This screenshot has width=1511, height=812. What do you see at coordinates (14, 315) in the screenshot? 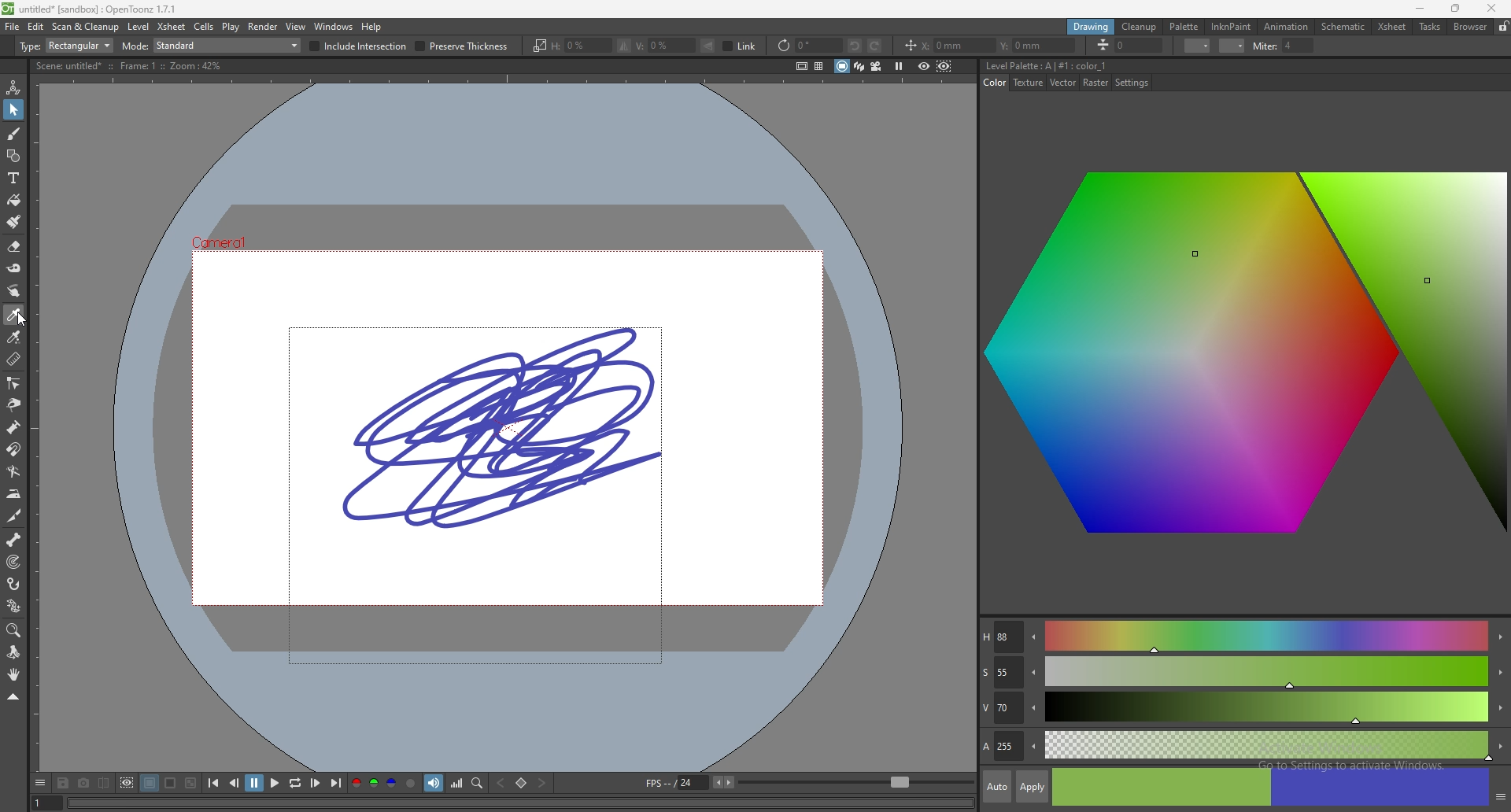
I see `style picker tool` at bounding box center [14, 315].